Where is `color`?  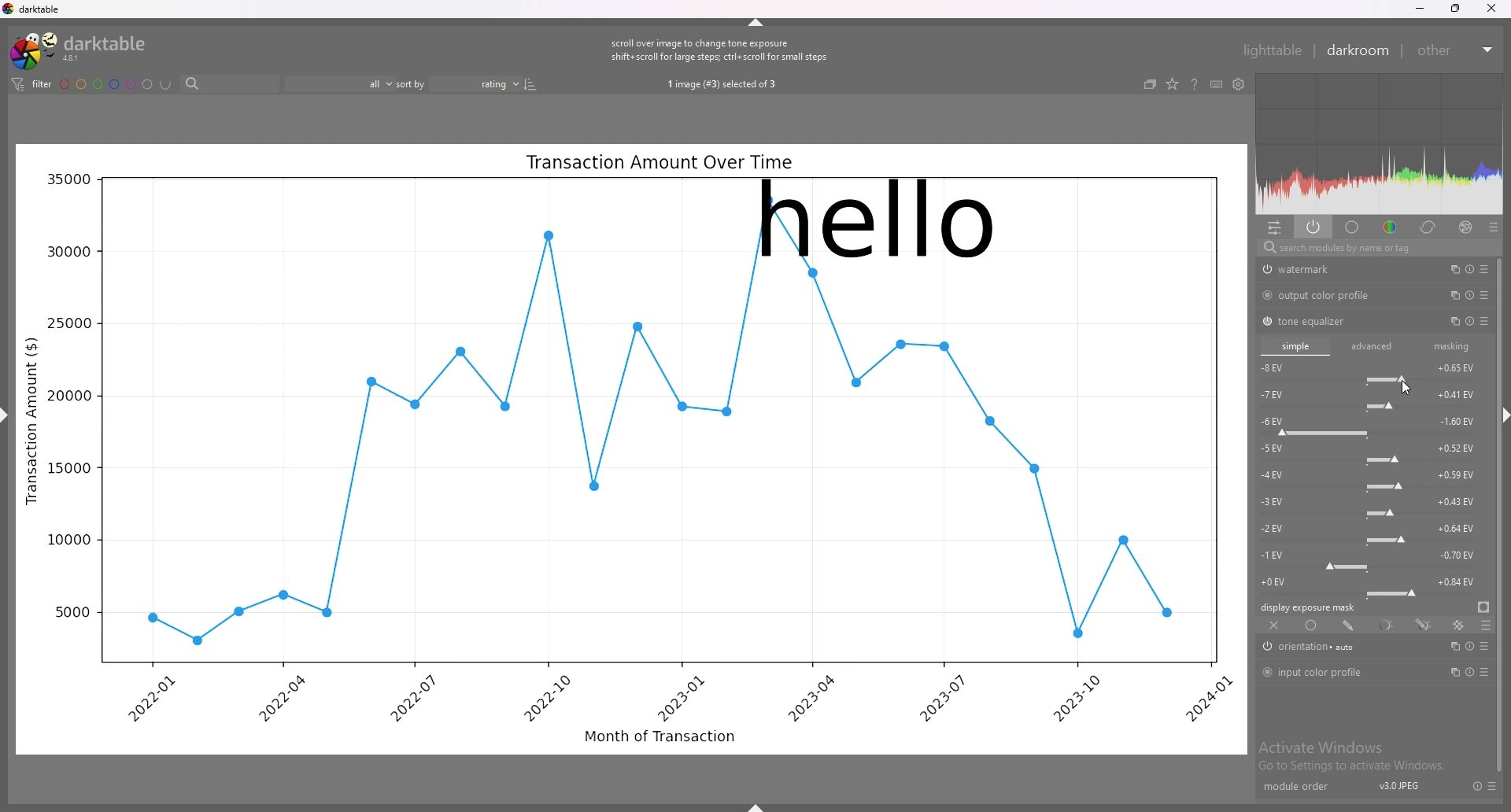 color is located at coordinates (1391, 227).